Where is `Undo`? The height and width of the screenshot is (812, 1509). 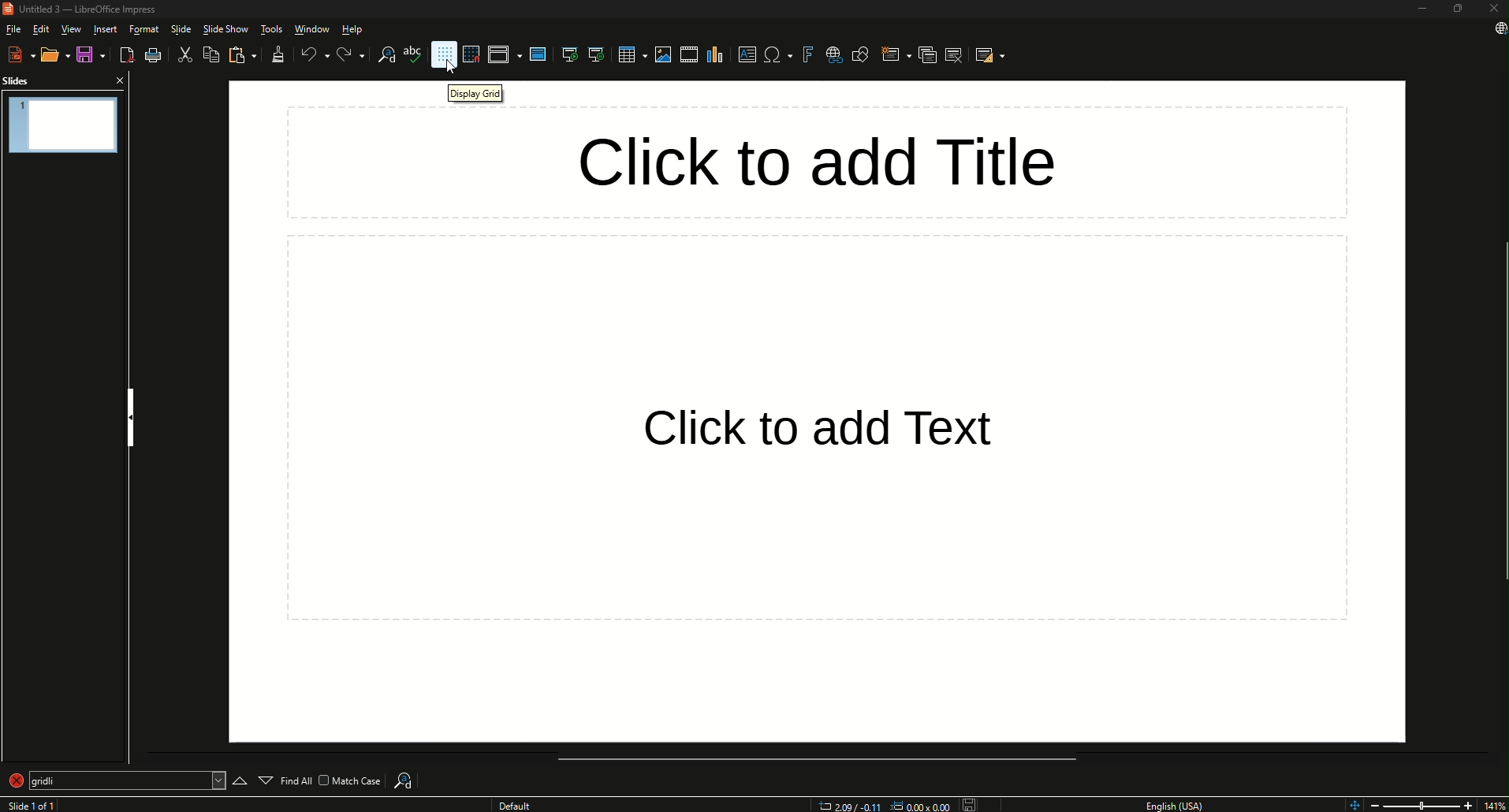 Undo is located at coordinates (311, 54).